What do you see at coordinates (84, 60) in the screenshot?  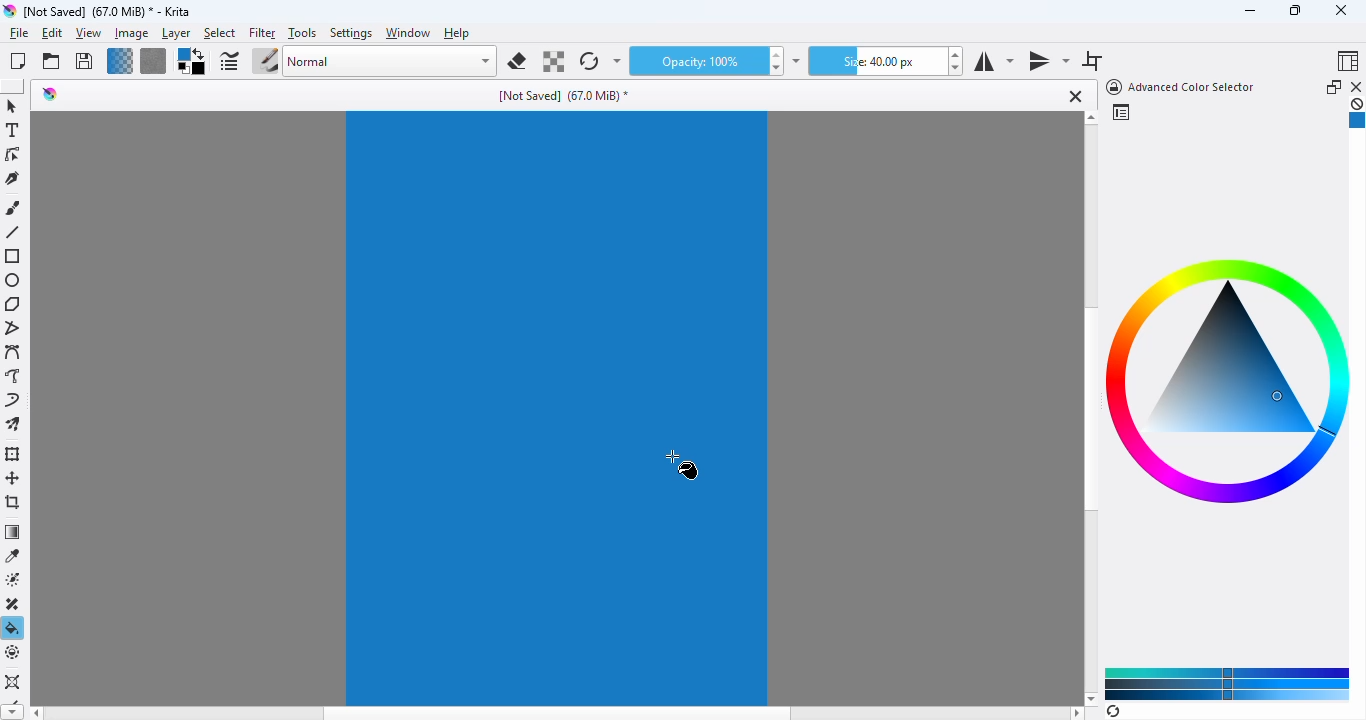 I see `save` at bounding box center [84, 60].